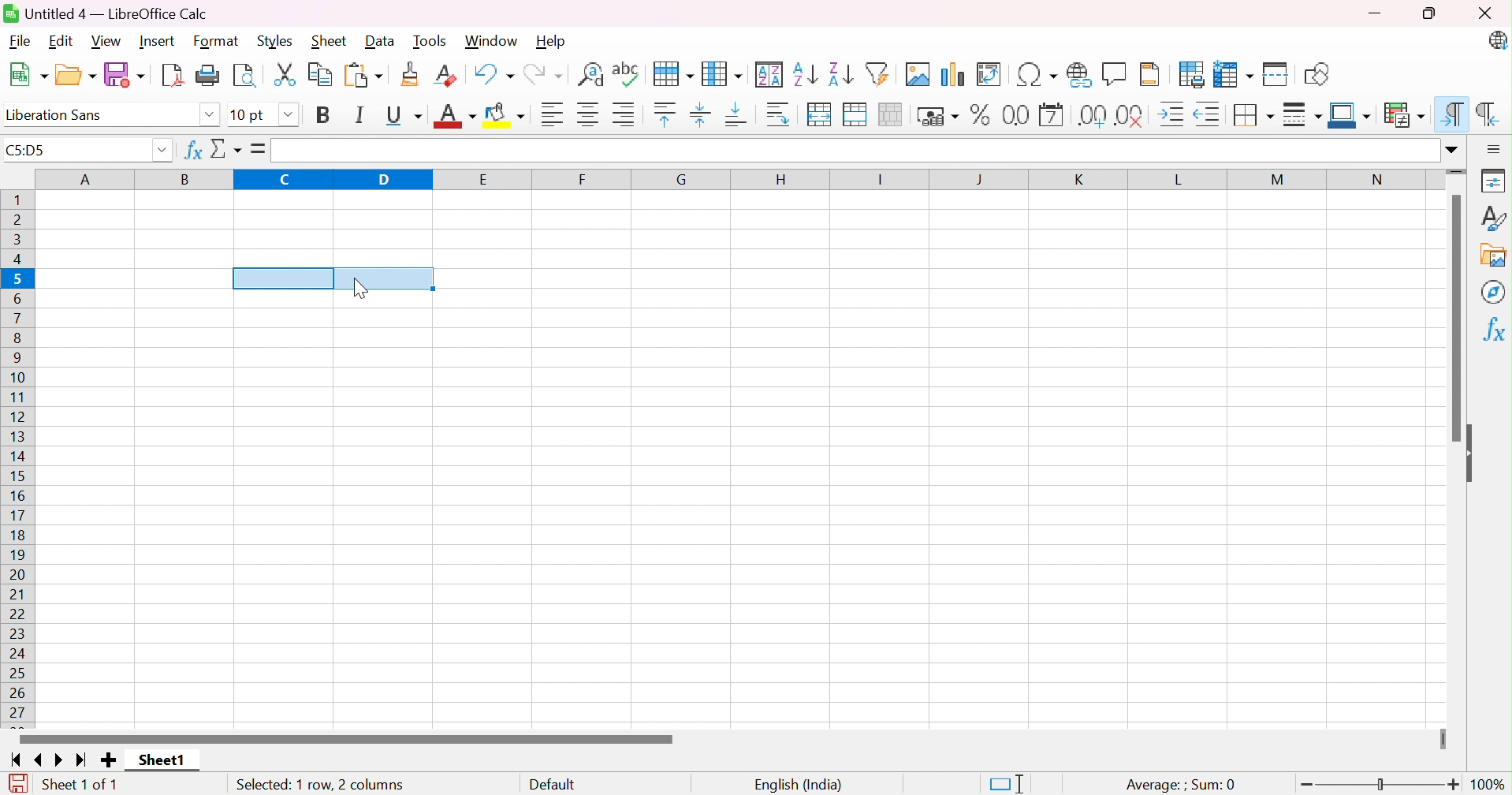 The width and height of the screenshot is (1512, 795). I want to click on Show Draw Functions, so click(1315, 73).